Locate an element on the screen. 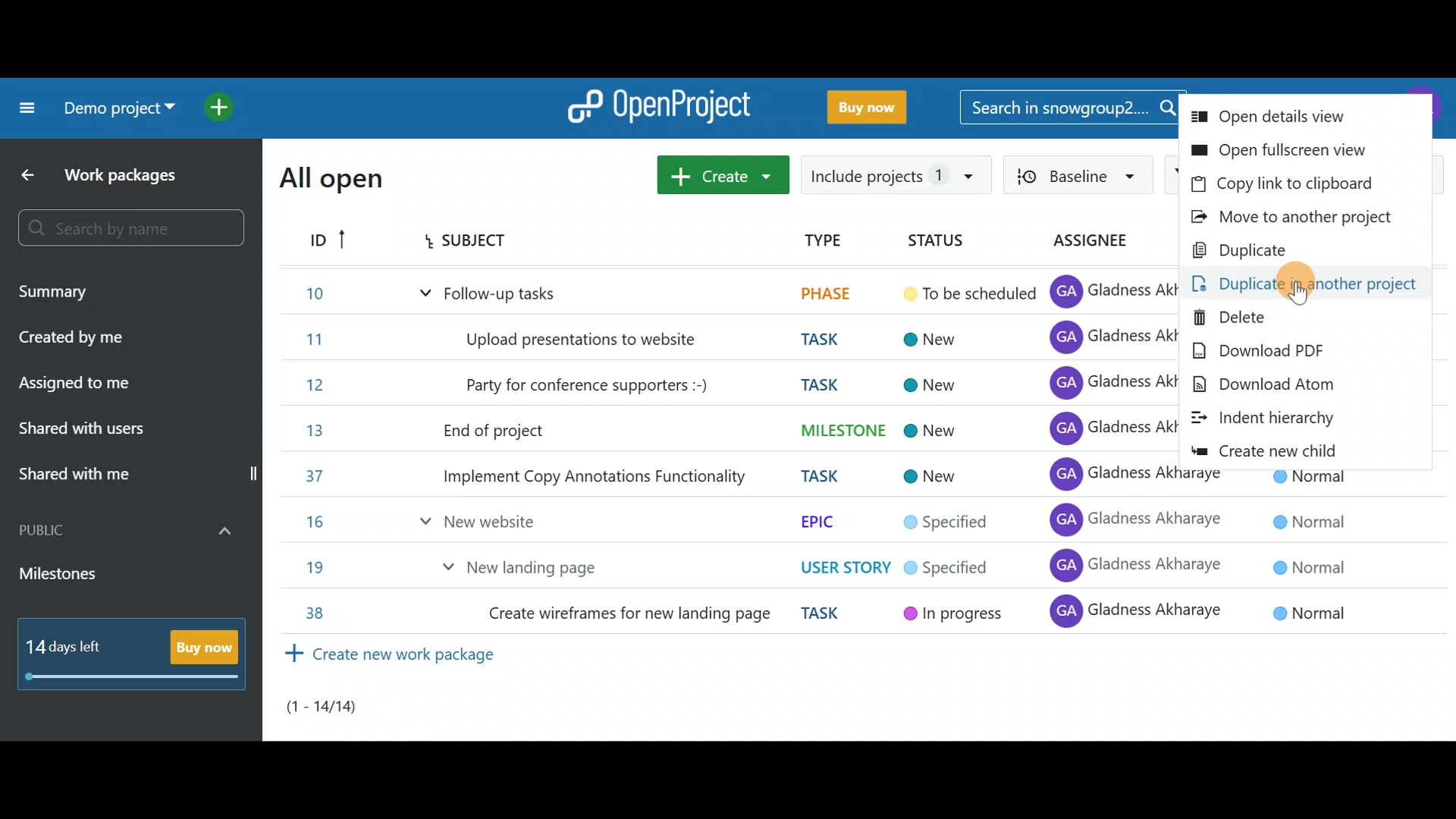 The height and width of the screenshot is (819, 1456). Delete is located at coordinates (1306, 318).